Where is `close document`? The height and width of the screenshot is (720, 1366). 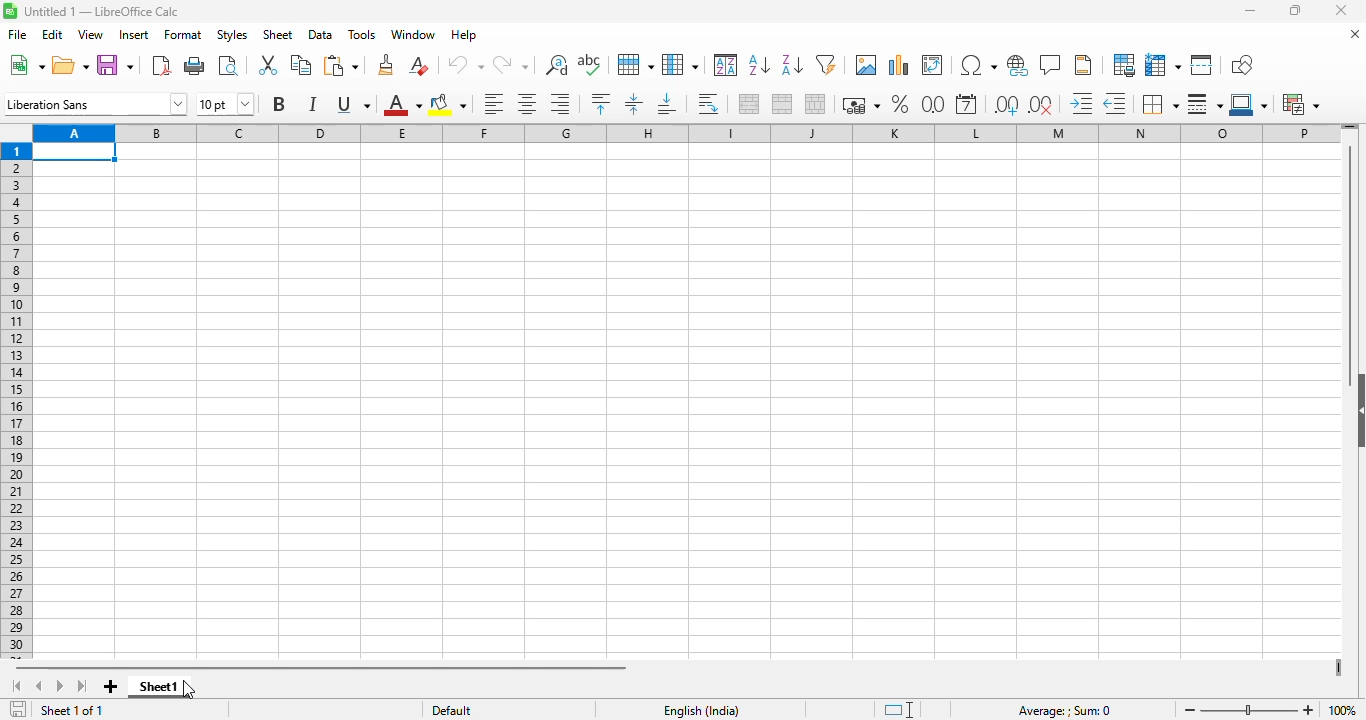 close document is located at coordinates (1355, 34).